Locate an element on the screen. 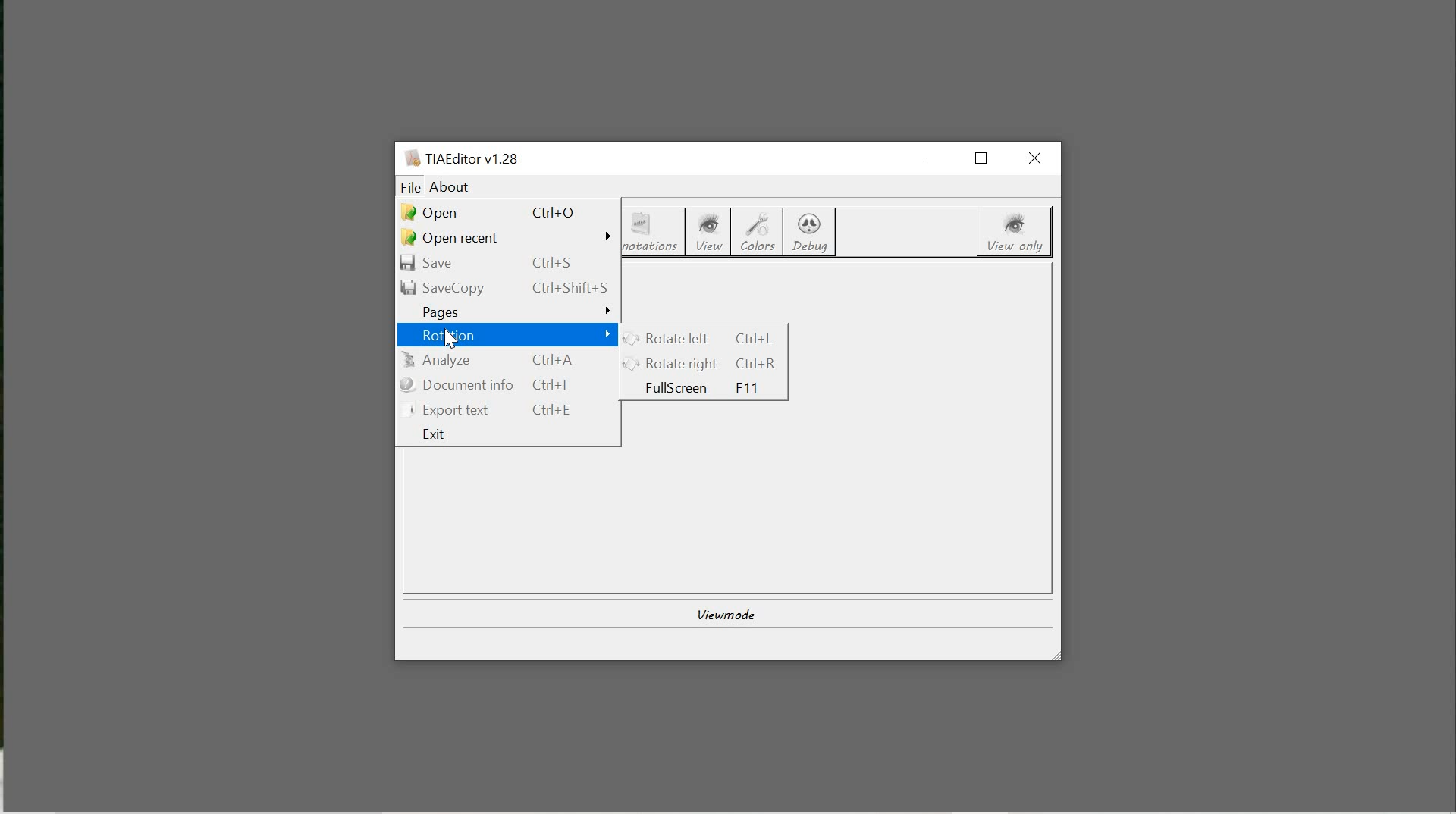 This screenshot has width=1456, height=814. savecopy is located at coordinates (507, 287).